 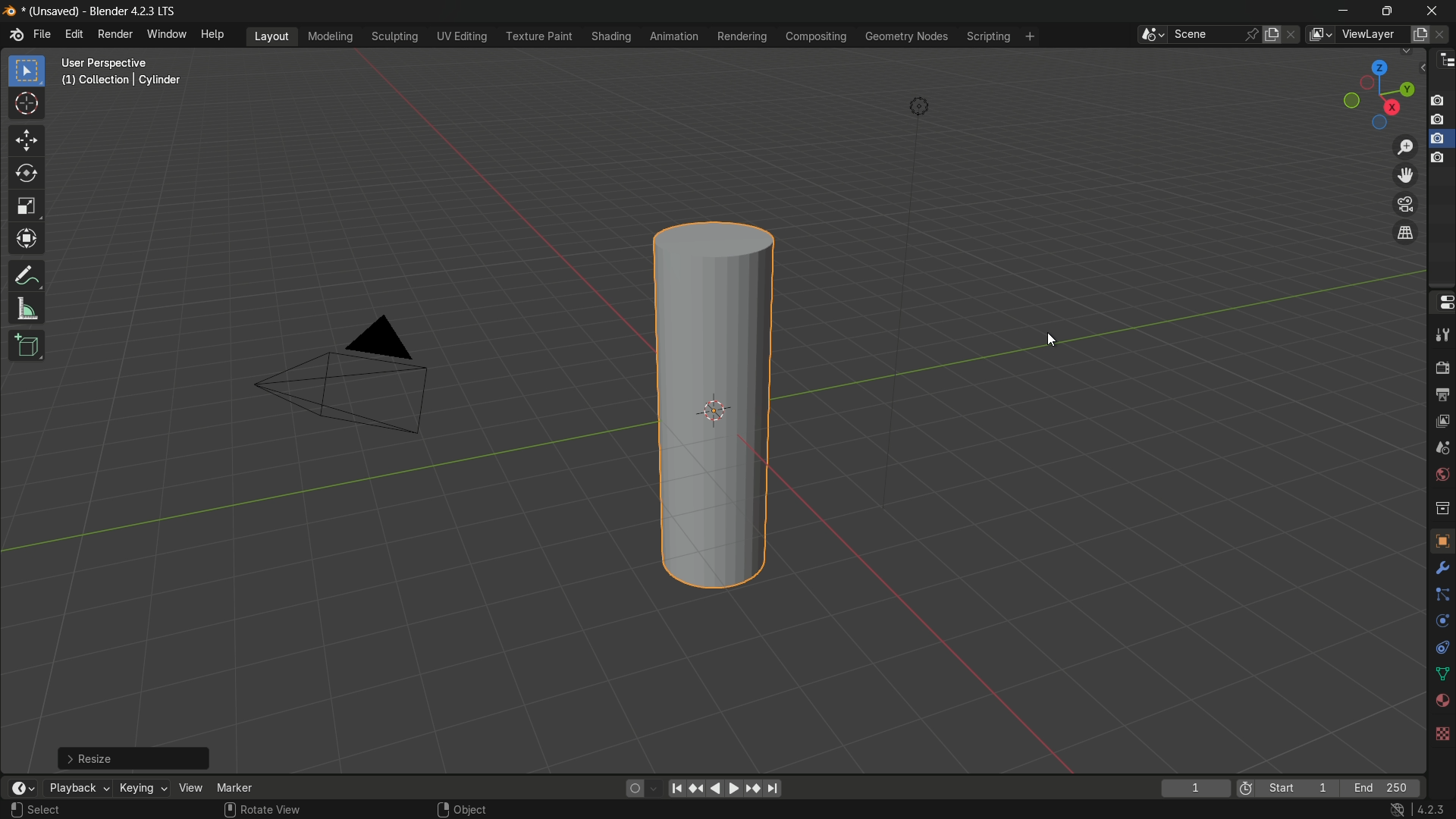 What do you see at coordinates (475, 808) in the screenshot?
I see `Object` at bounding box center [475, 808].